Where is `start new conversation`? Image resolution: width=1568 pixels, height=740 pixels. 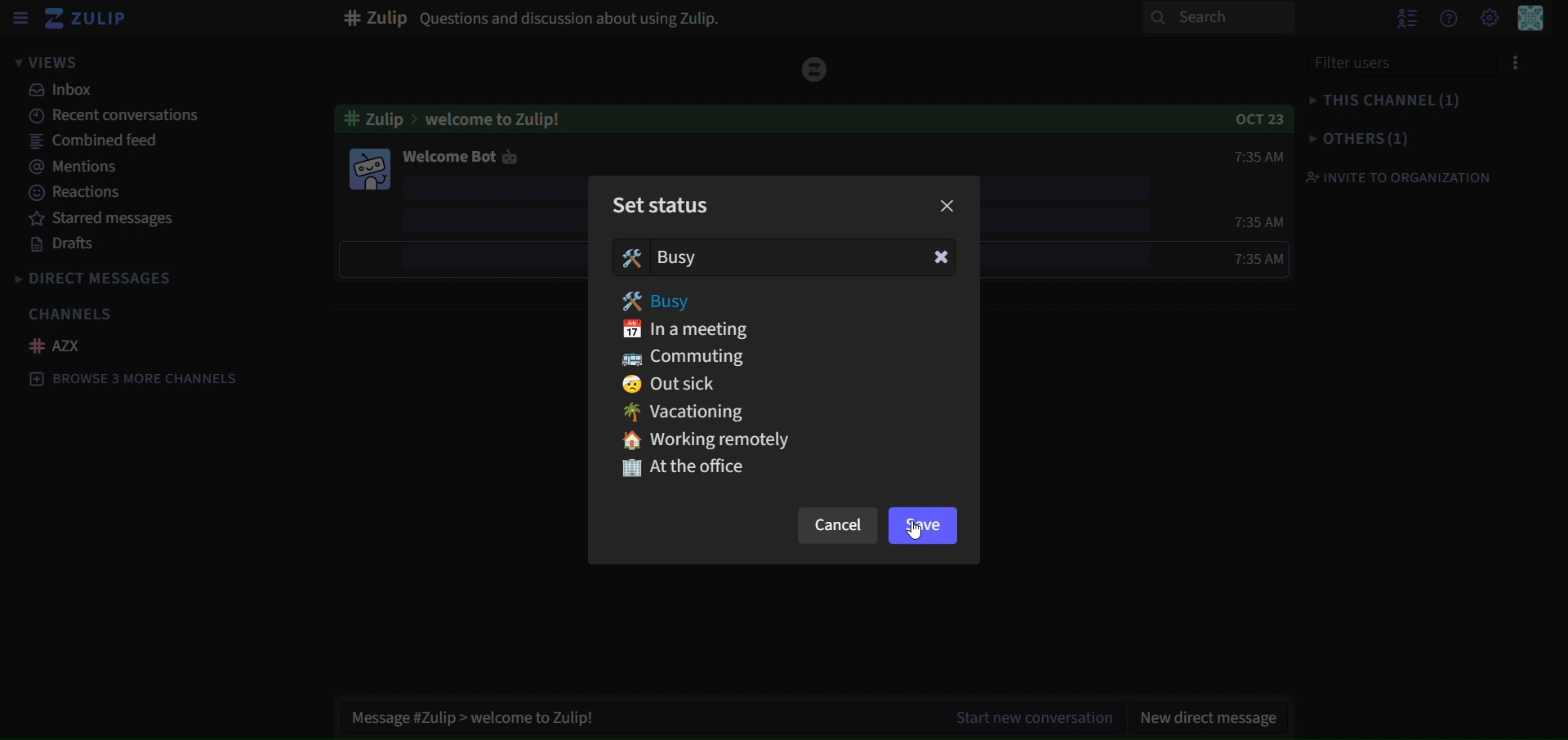
start new conversation is located at coordinates (1022, 720).